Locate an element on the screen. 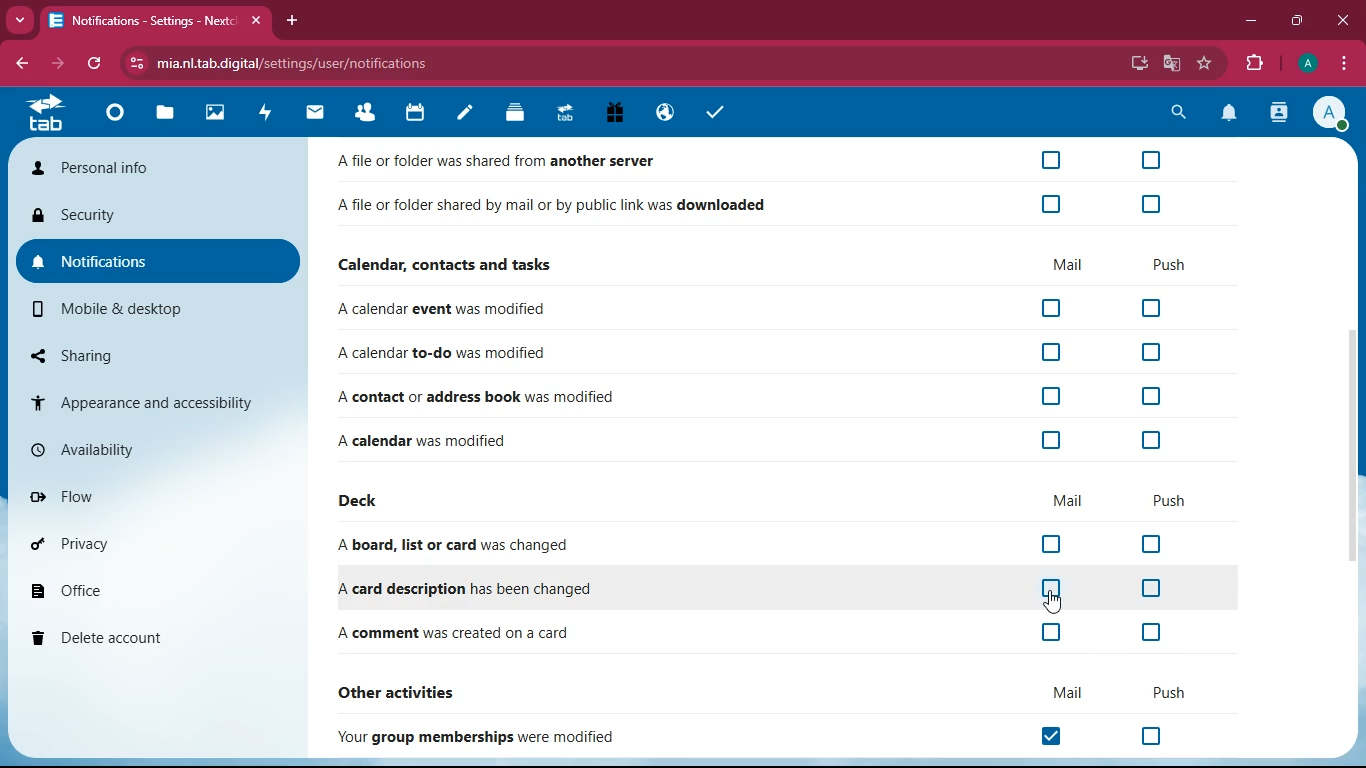  add tab is located at coordinates (291, 20).